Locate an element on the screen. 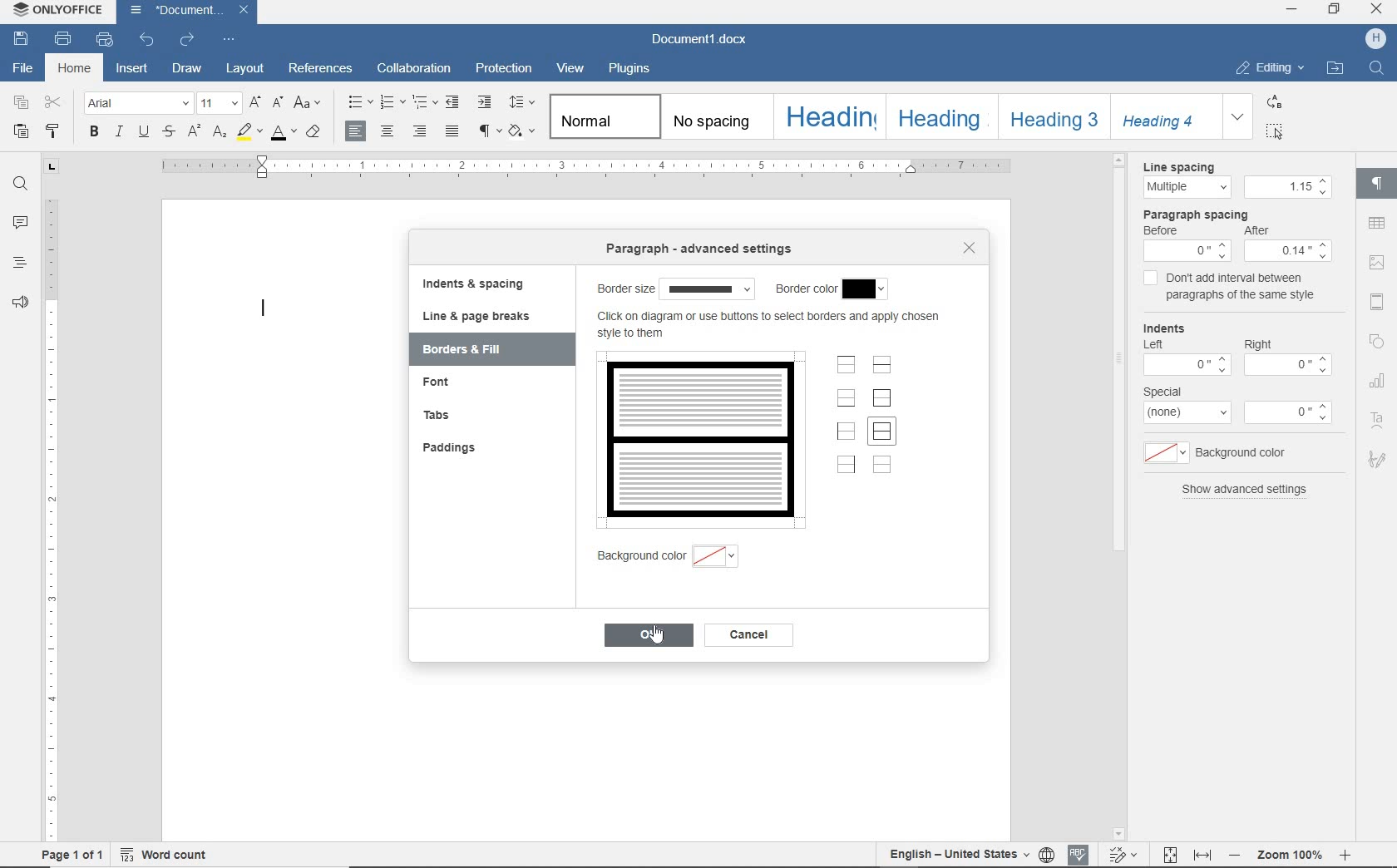  cut is located at coordinates (54, 104).